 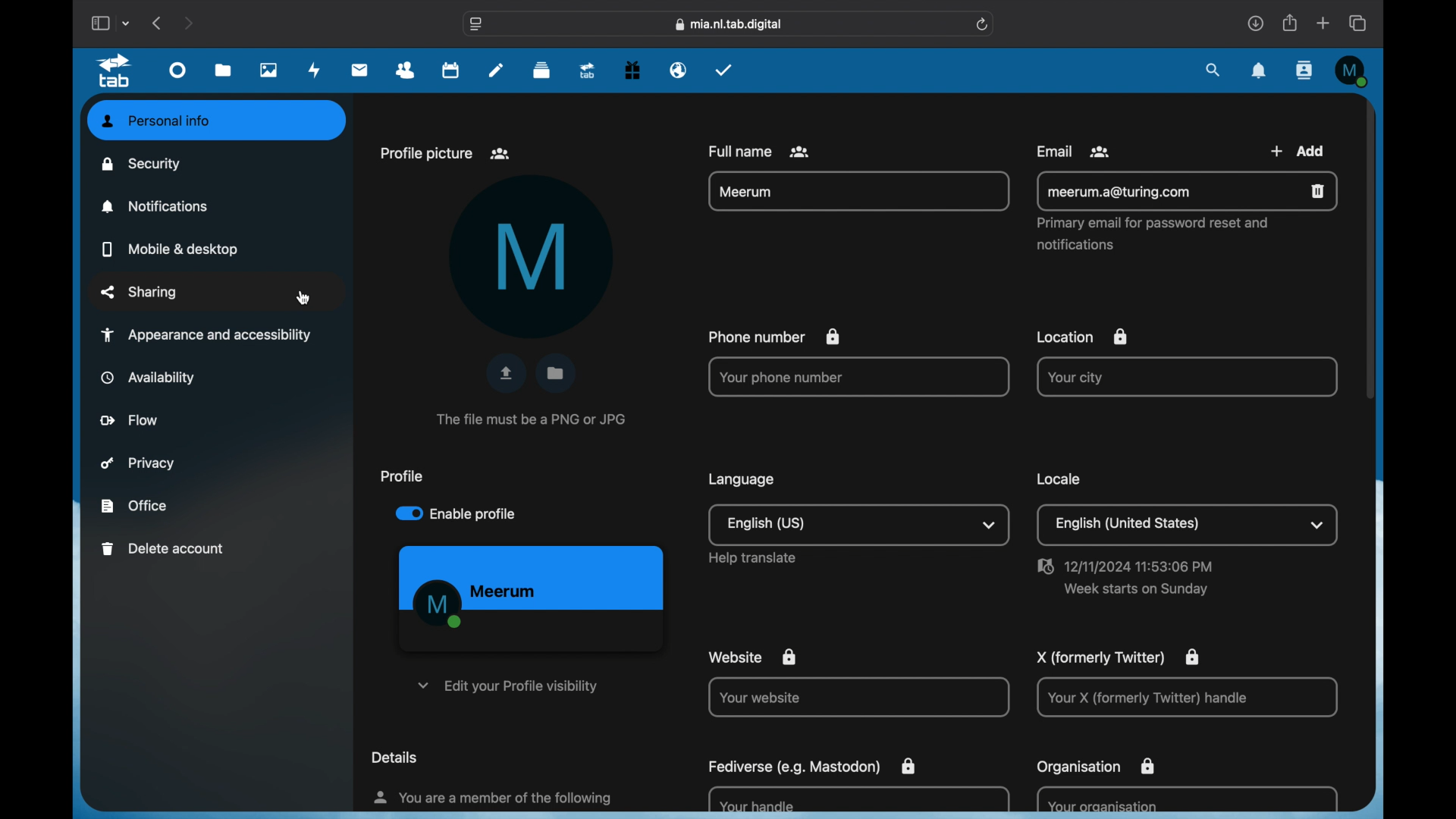 What do you see at coordinates (859, 525) in the screenshot?
I see `English` at bounding box center [859, 525].